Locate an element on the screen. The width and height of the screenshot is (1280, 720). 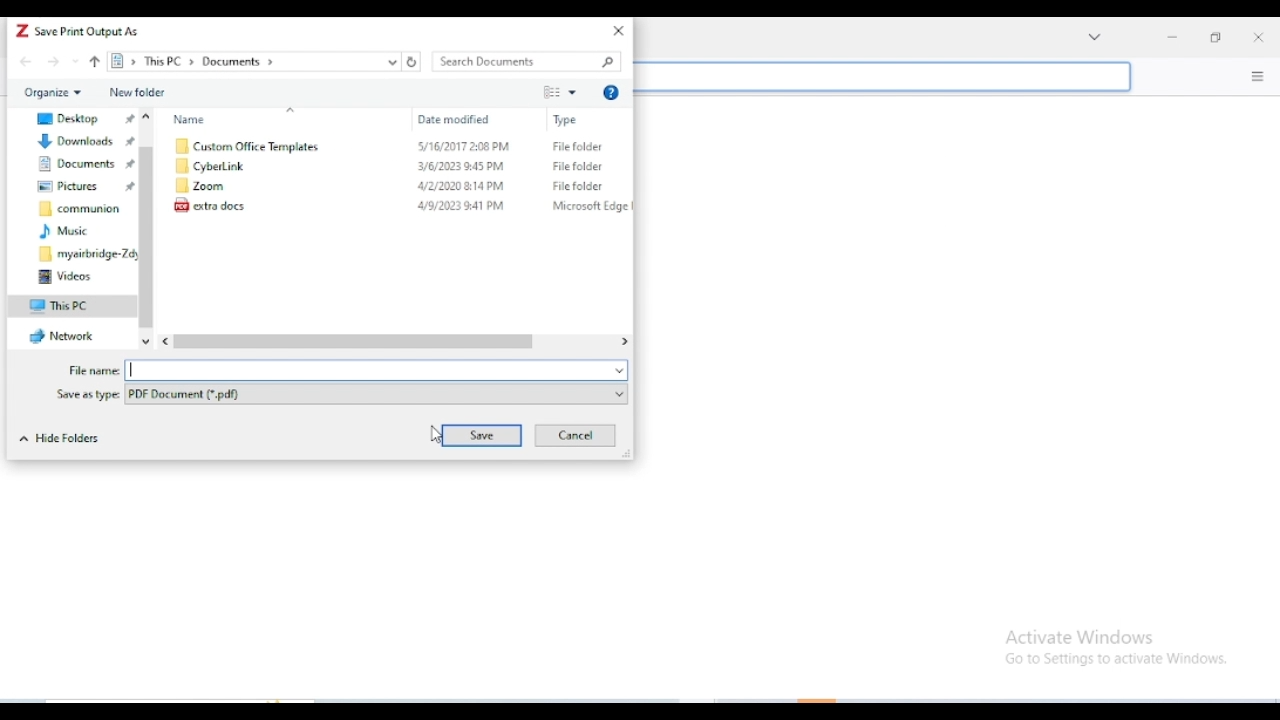
recent locations is located at coordinates (76, 61).